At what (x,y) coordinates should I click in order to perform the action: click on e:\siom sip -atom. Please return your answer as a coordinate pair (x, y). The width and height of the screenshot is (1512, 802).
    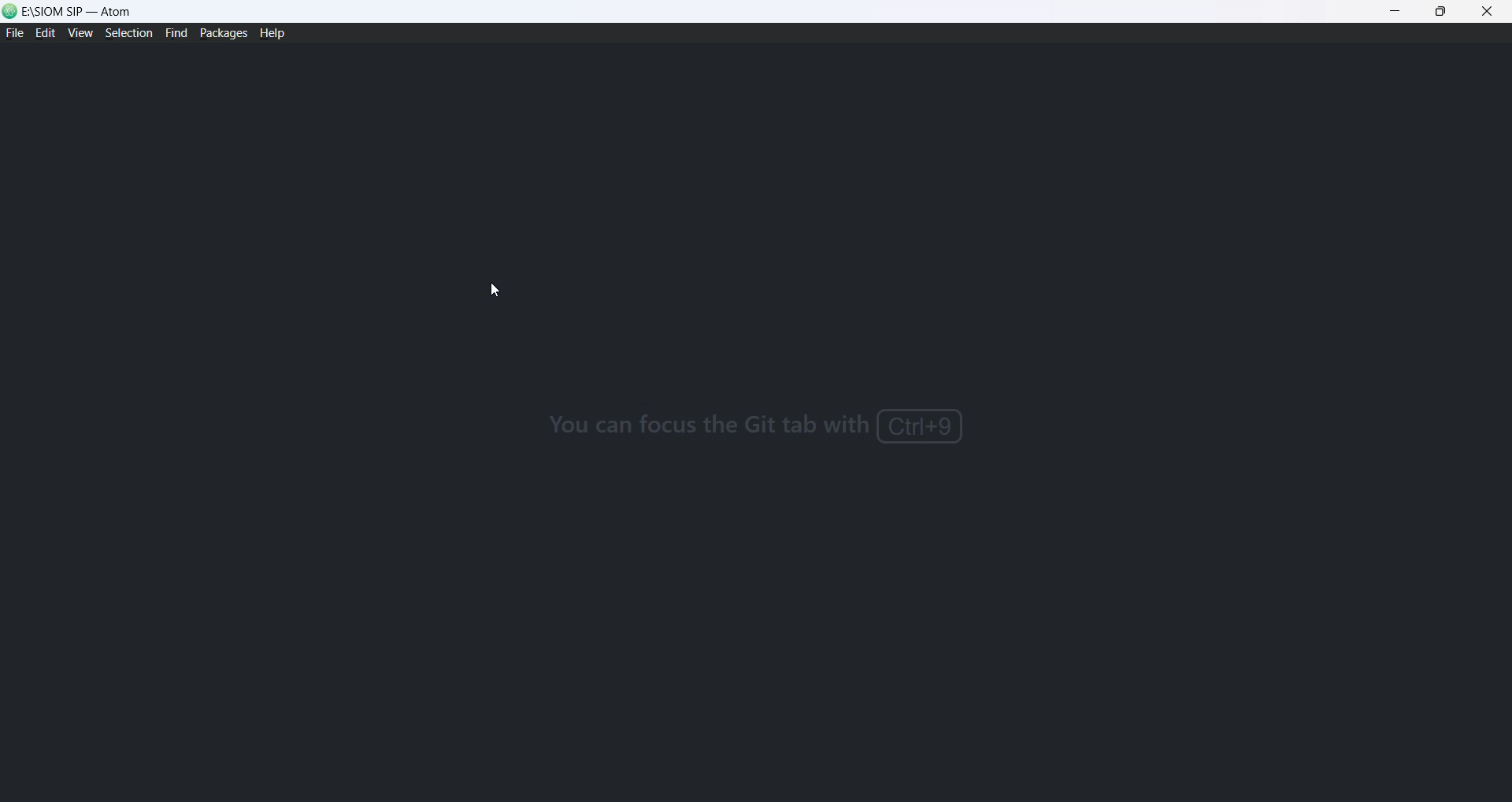
    Looking at the image, I should click on (82, 11).